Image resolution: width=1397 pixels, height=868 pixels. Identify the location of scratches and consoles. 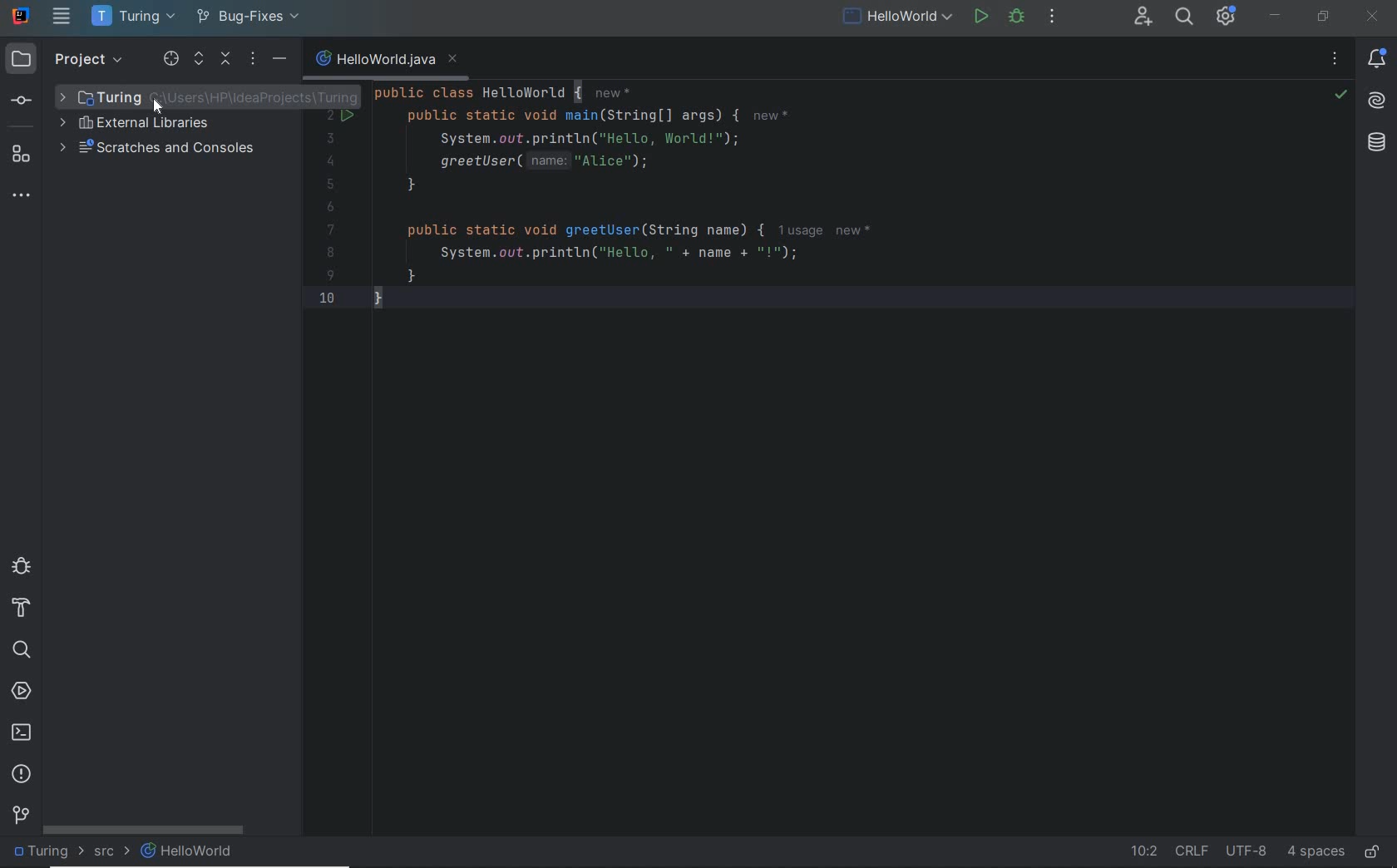
(160, 149).